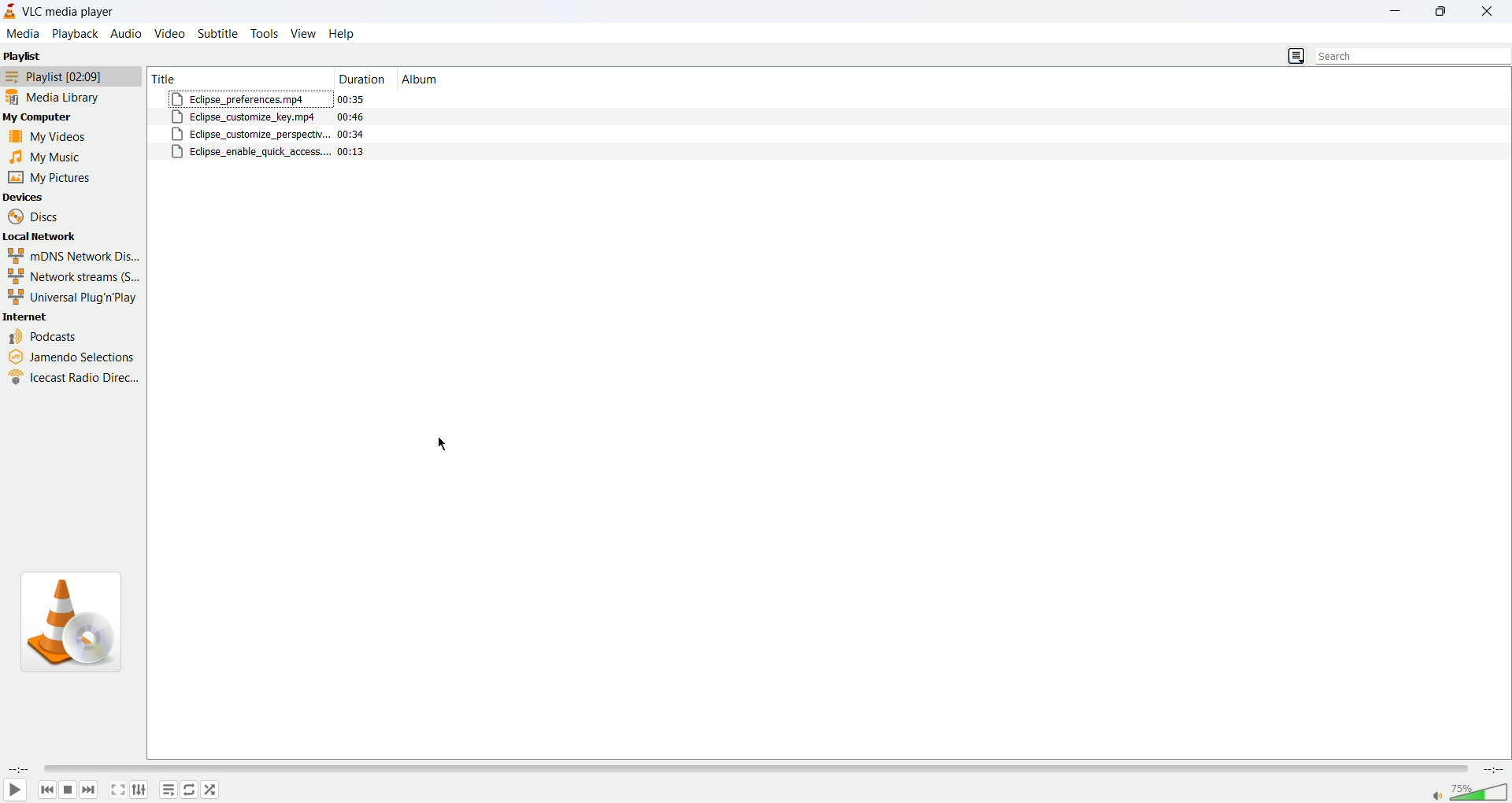 The height and width of the screenshot is (803, 1512). What do you see at coordinates (237, 76) in the screenshot?
I see `Title` at bounding box center [237, 76].